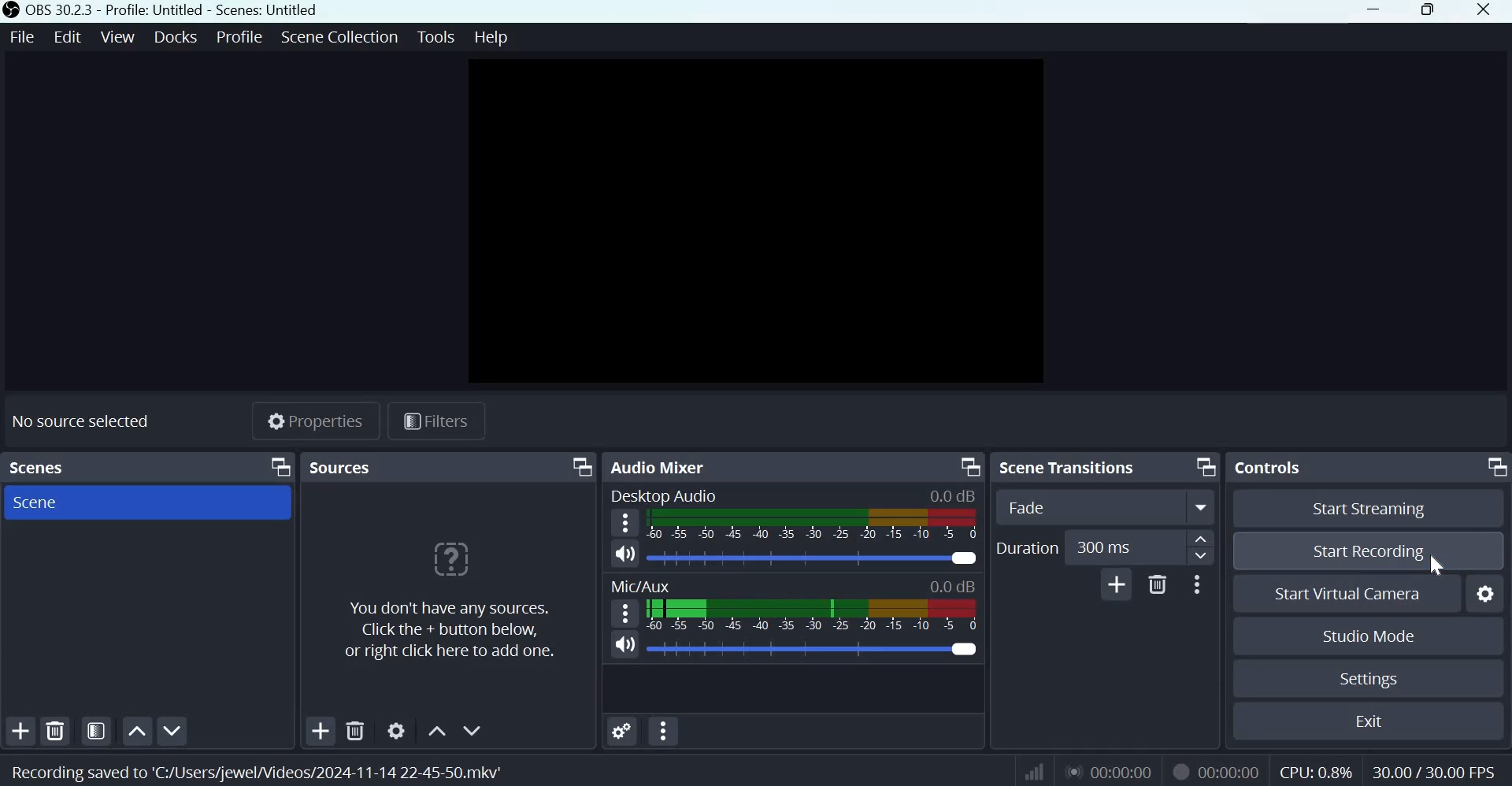  What do you see at coordinates (343, 469) in the screenshot?
I see `Sources` at bounding box center [343, 469].